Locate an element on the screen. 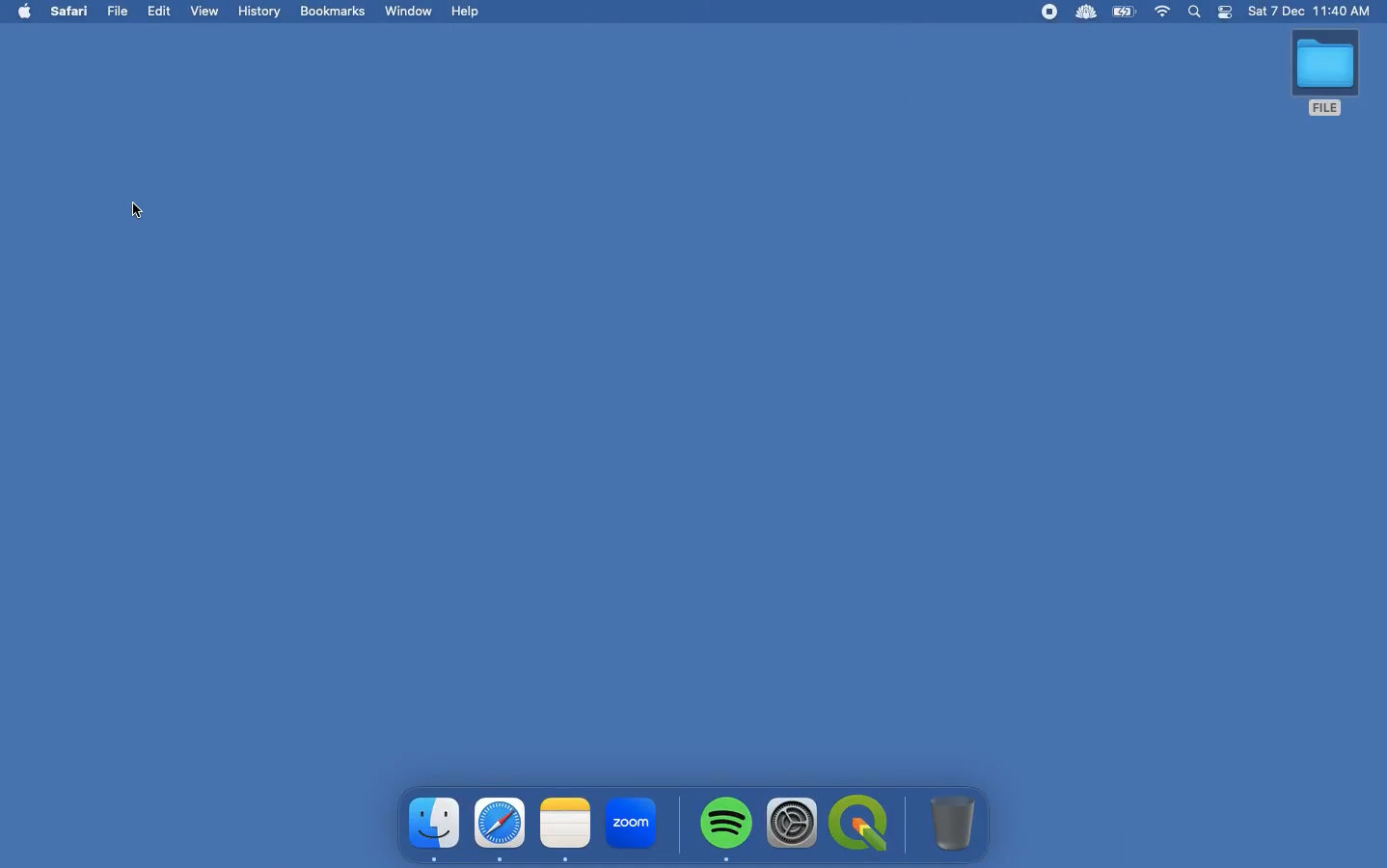 The width and height of the screenshot is (1387, 868). QGIS is located at coordinates (861, 821).